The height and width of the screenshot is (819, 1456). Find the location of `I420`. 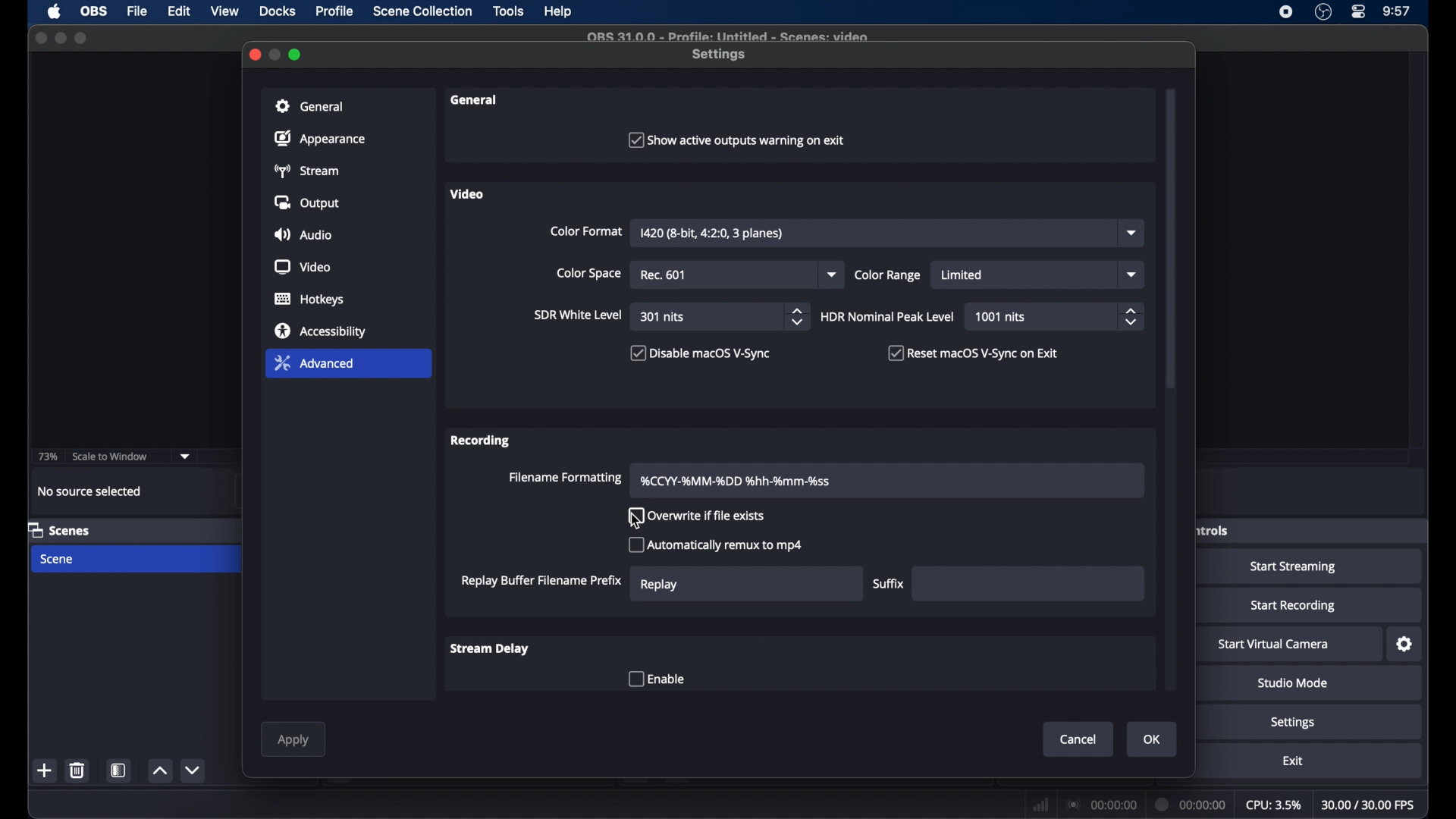

I420 is located at coordinates (711, 234).